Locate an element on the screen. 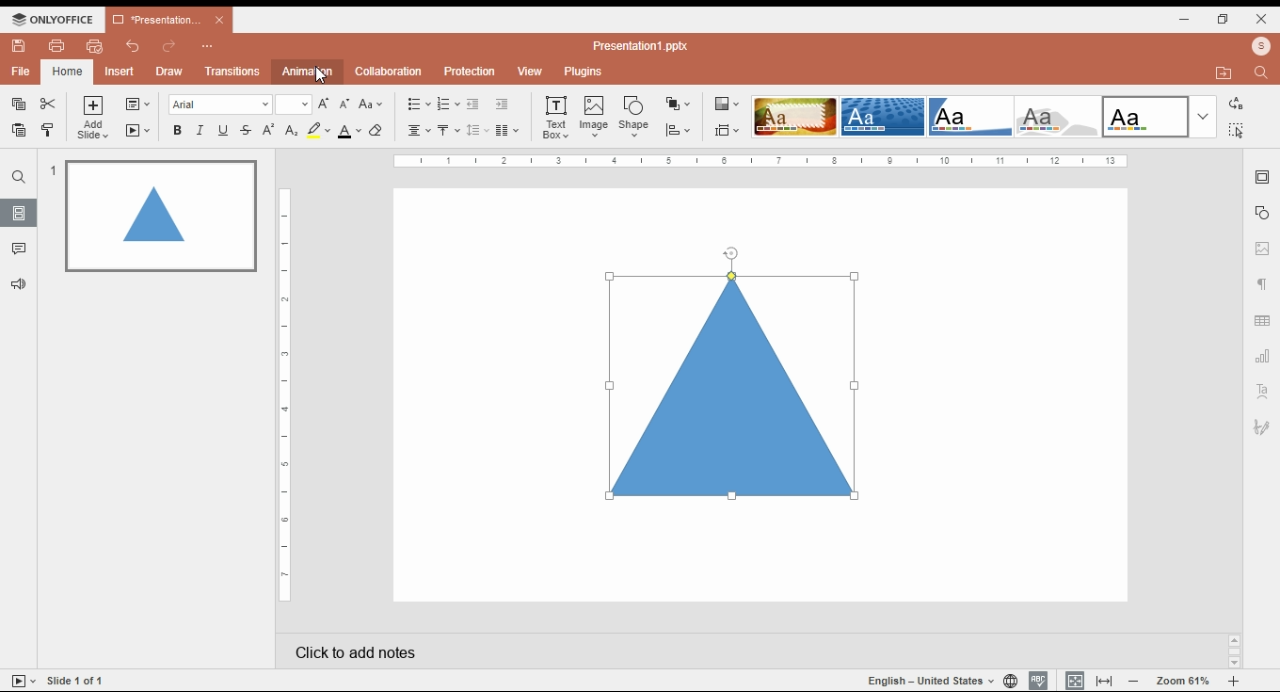  slide setting is located at coordinates (1261, 178).